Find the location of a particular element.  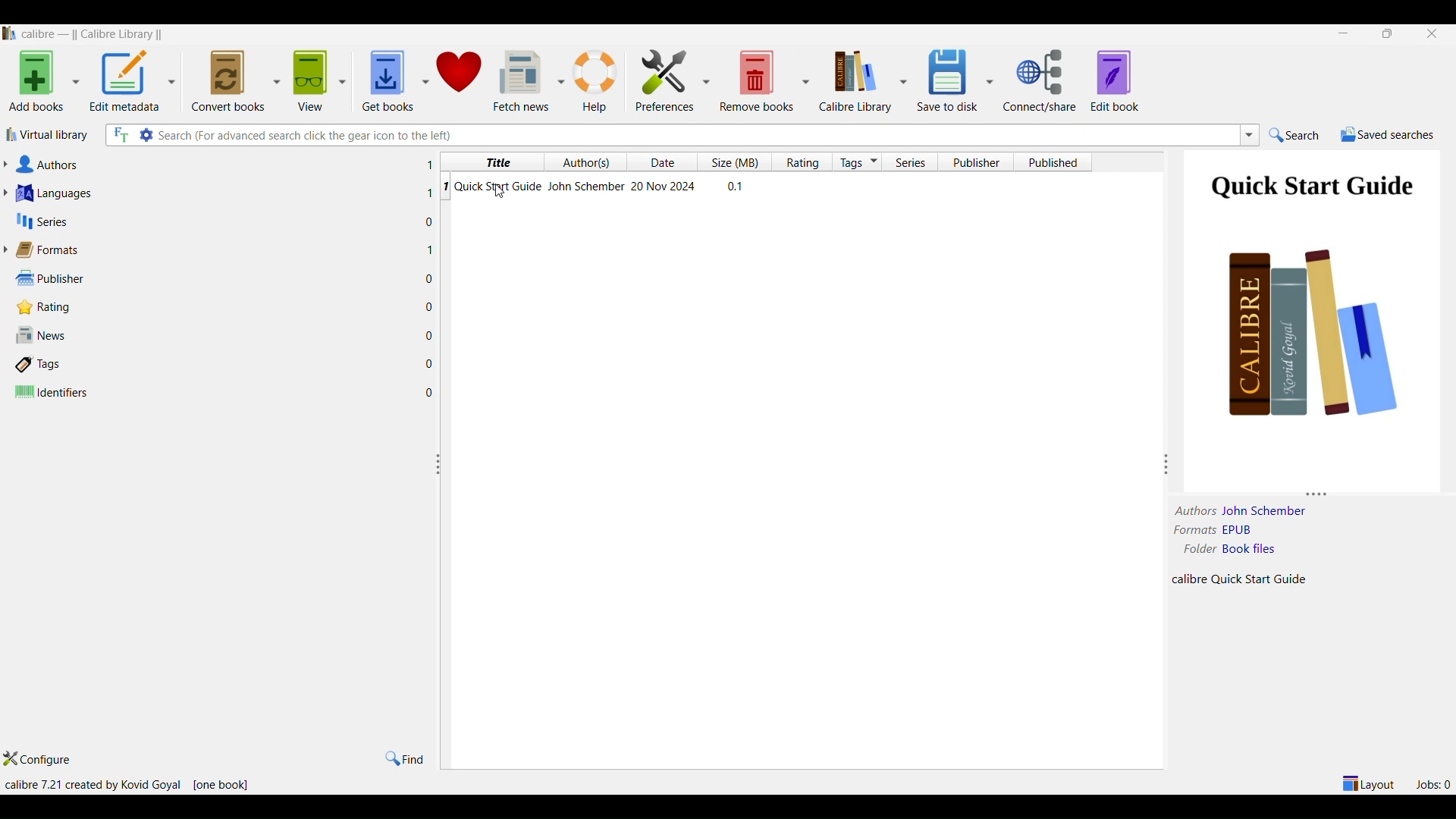

preferences is located at coordinates (665, 81).